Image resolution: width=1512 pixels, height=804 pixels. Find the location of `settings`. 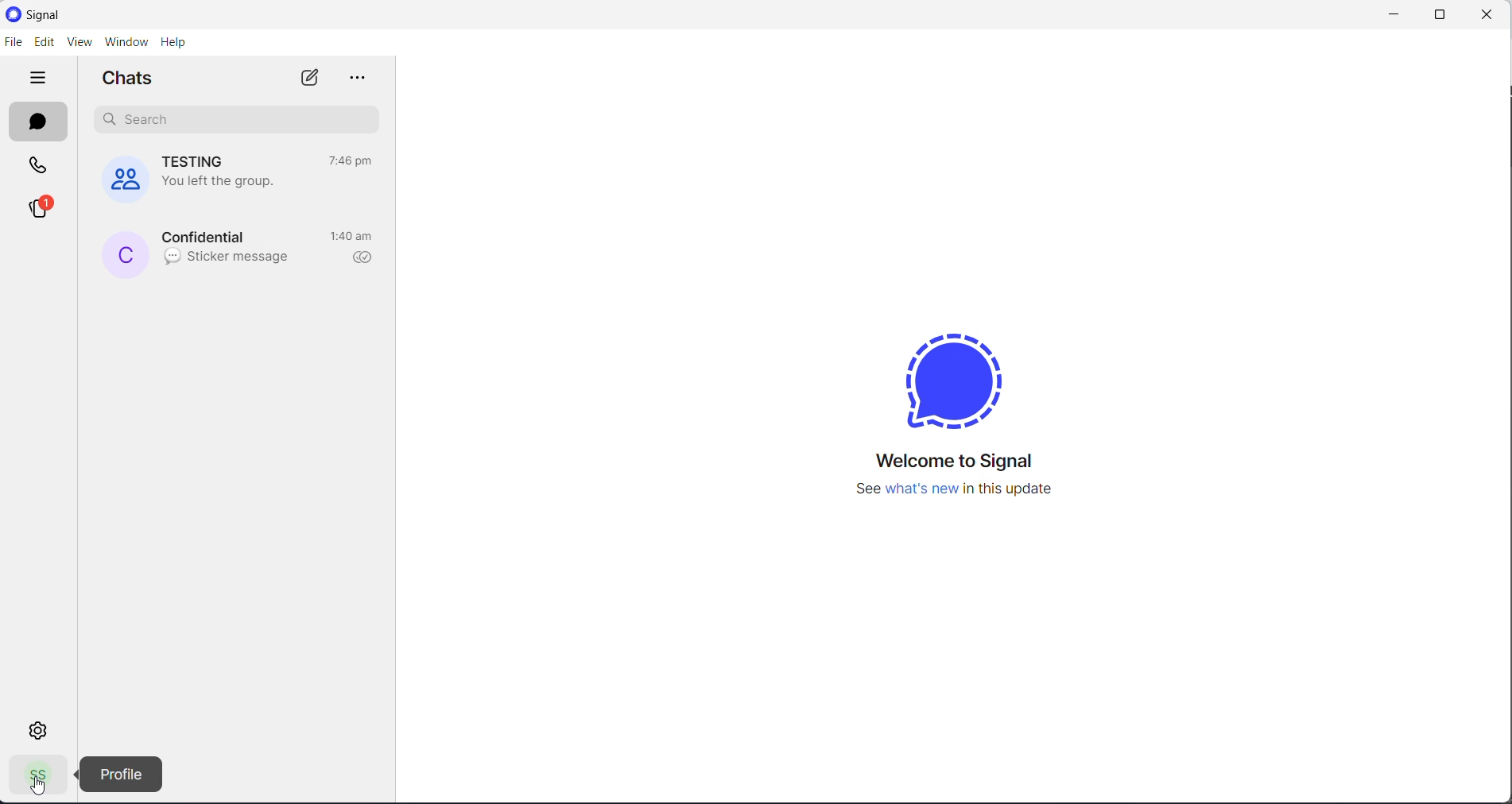

settings is located at coordinates (41, 729).